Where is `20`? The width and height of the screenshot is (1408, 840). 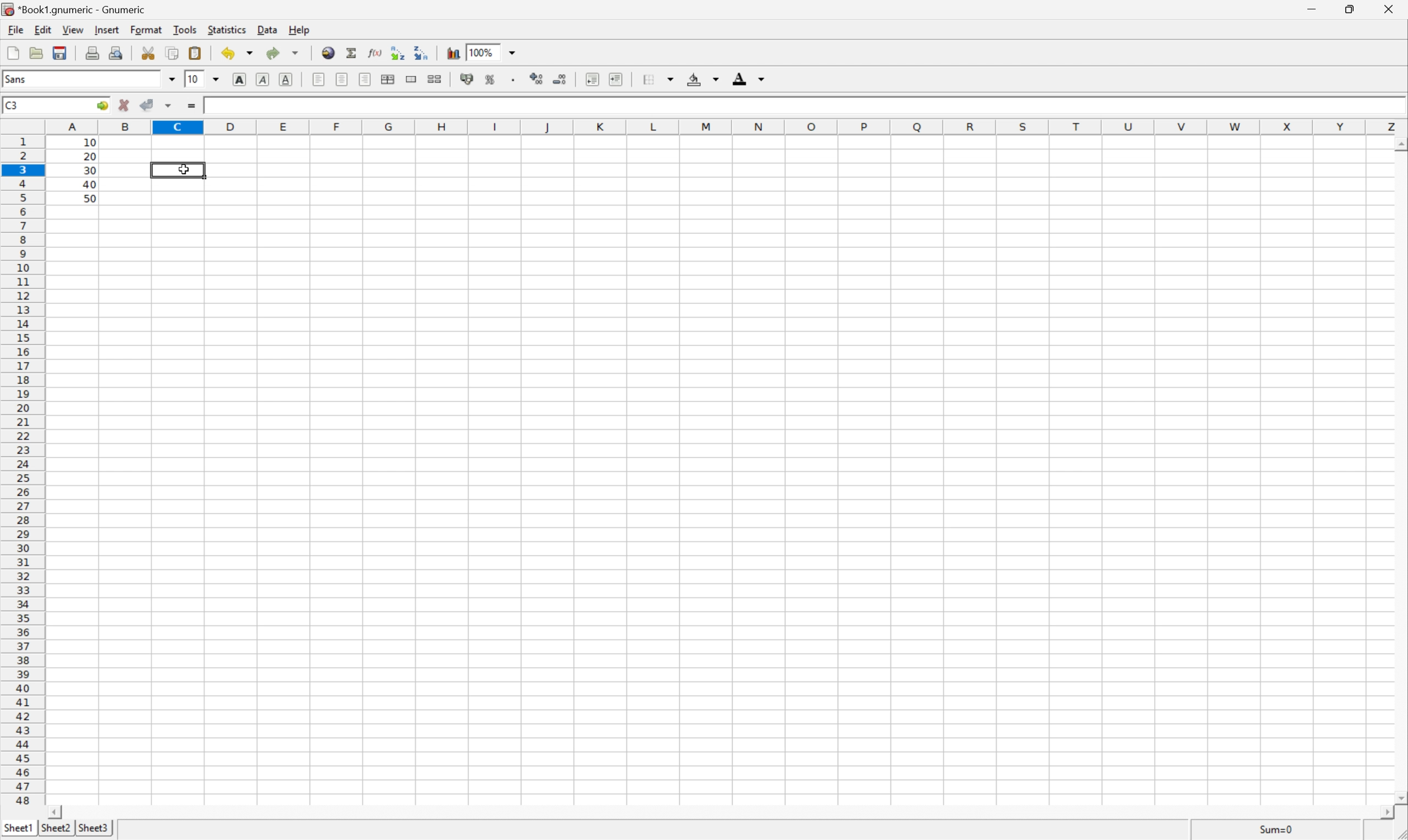
20 is located at coordinates (91, 156).